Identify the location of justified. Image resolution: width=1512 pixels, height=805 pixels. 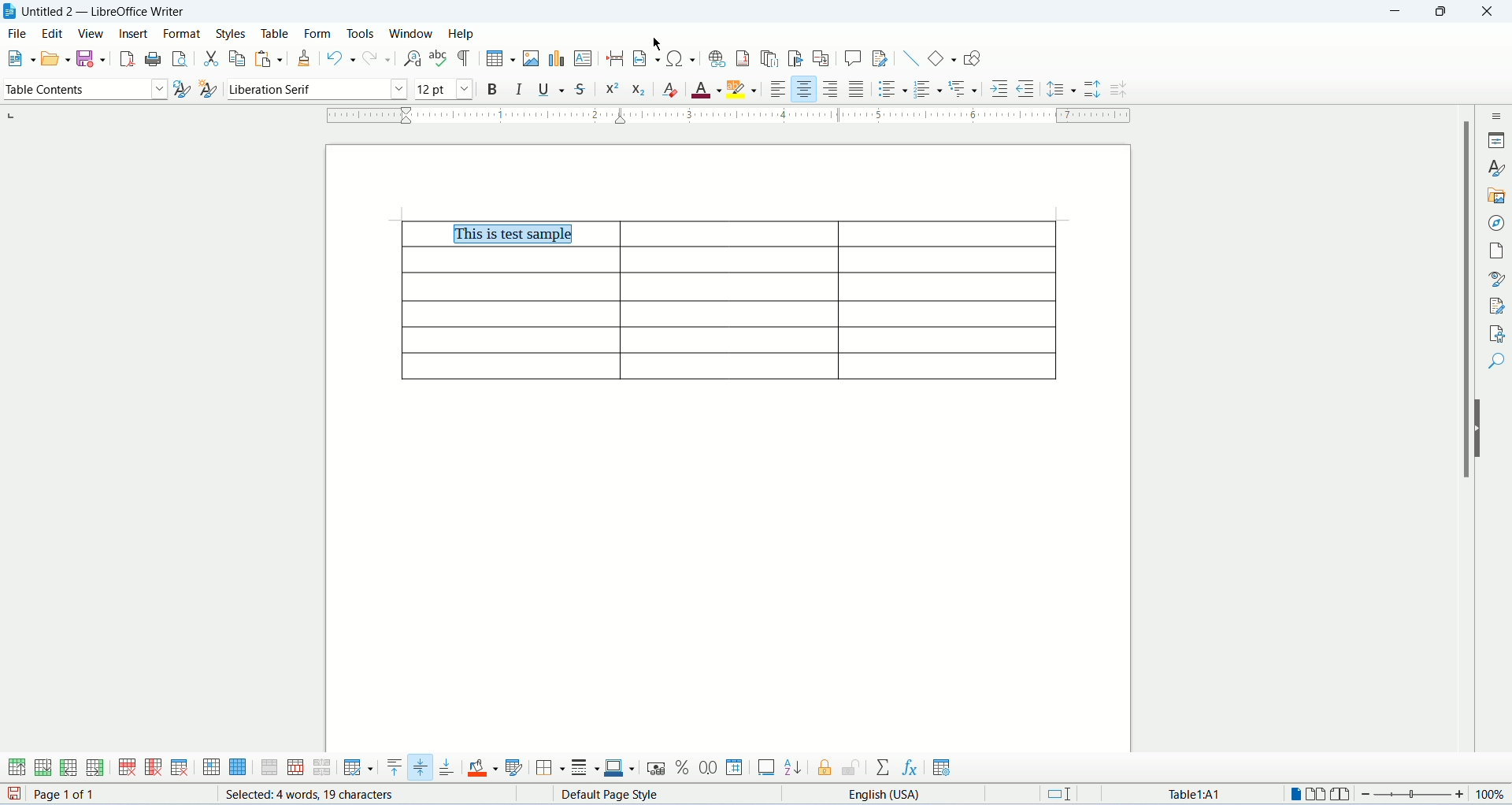
(859, 87).